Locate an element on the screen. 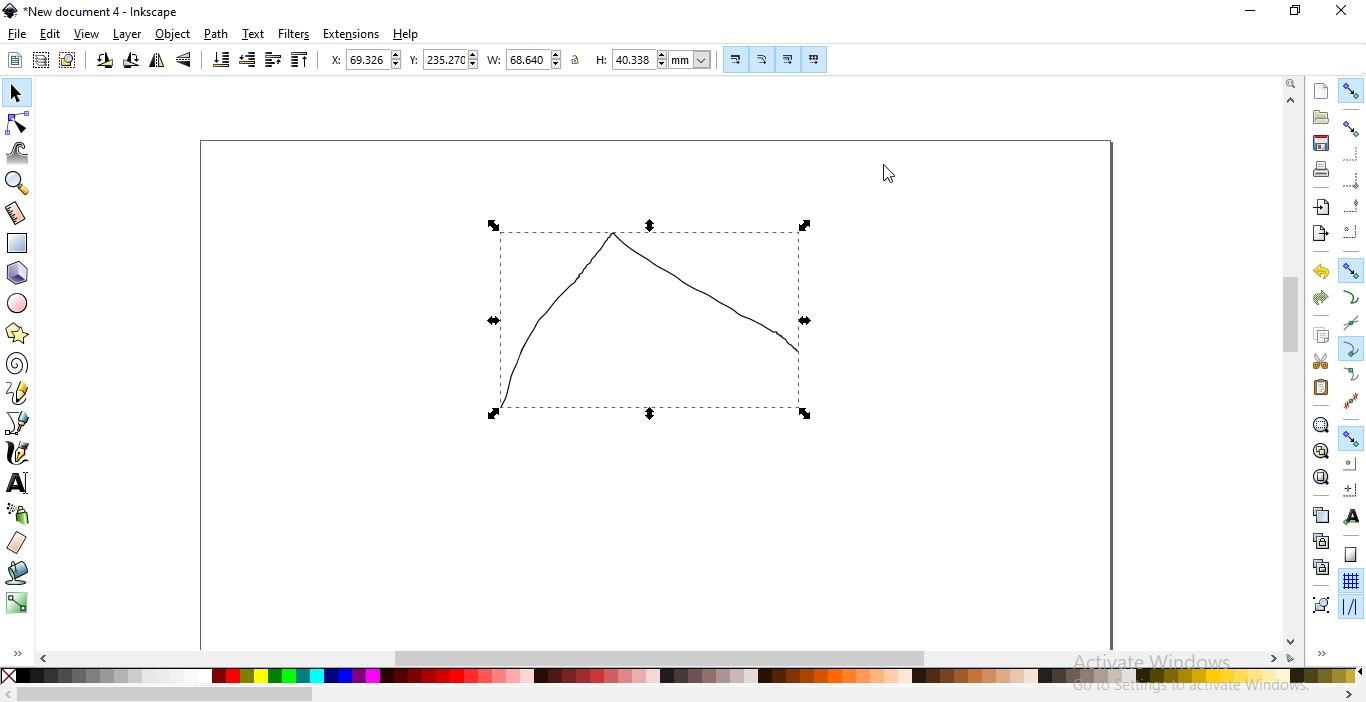 The height and width of the screenshot is (702, 1366). text is located at coordinates (254, 33).